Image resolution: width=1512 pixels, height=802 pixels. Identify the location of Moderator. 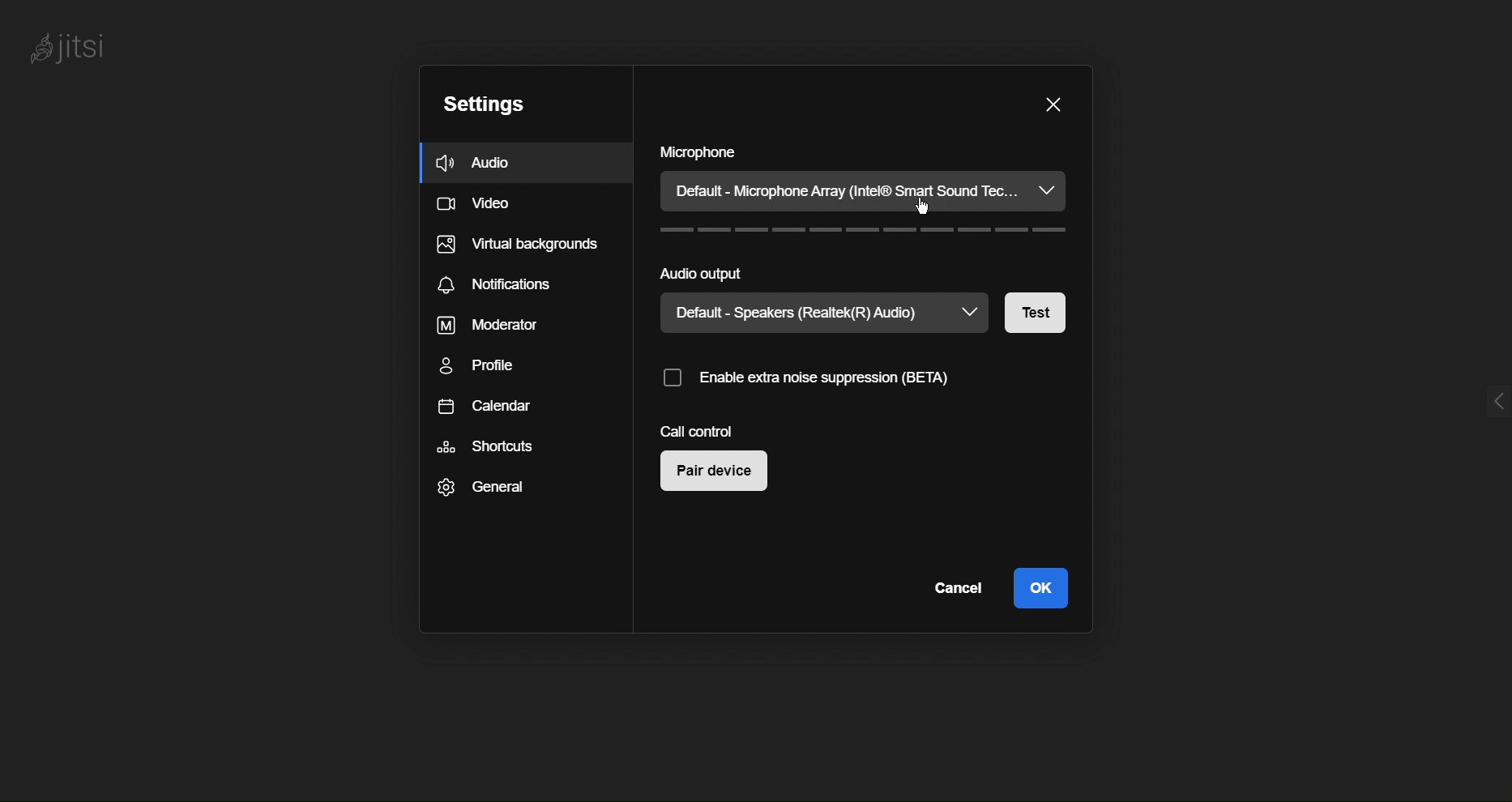
(485, 325).